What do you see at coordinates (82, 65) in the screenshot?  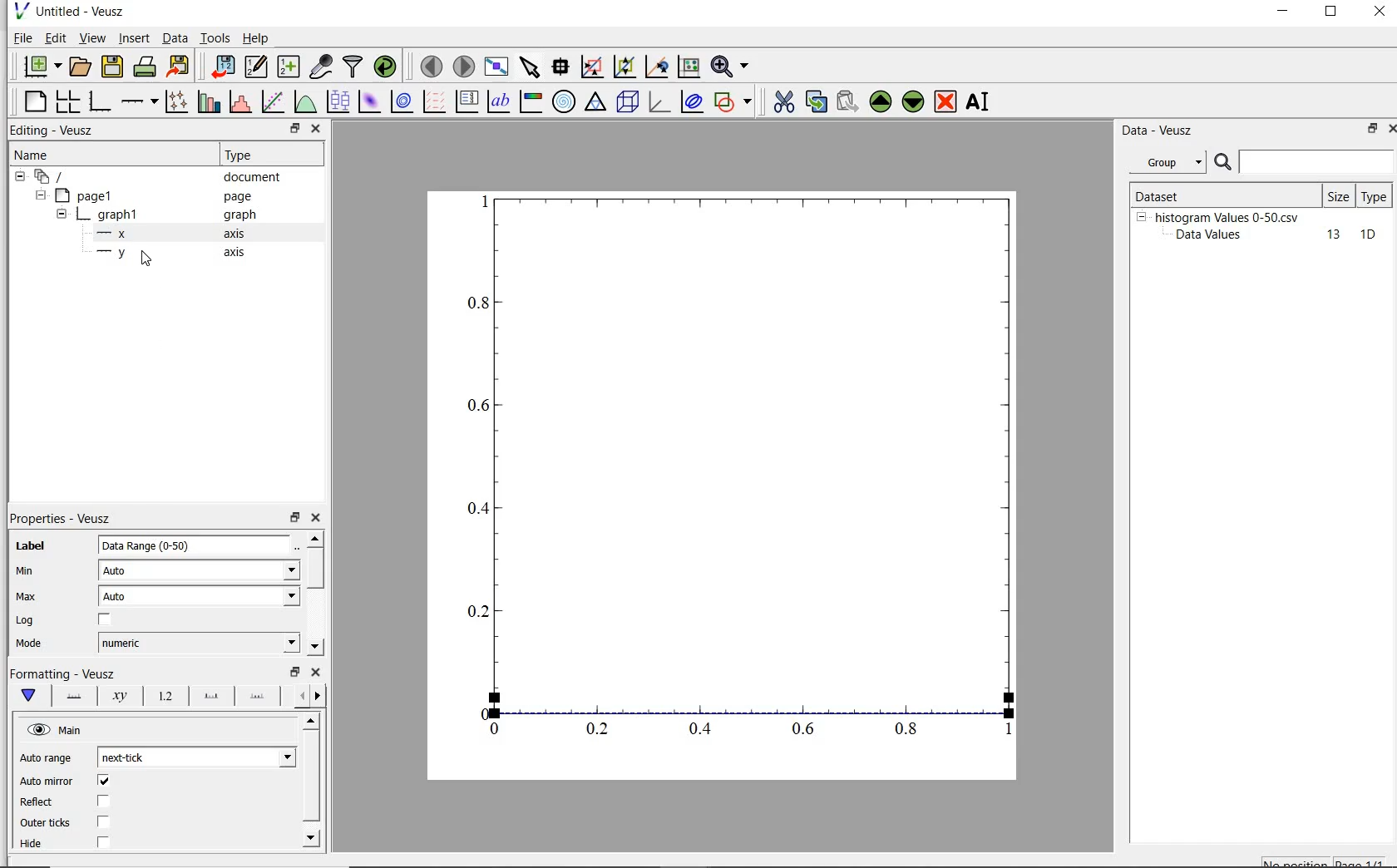 I see `open` at bounding box center [82, 65].